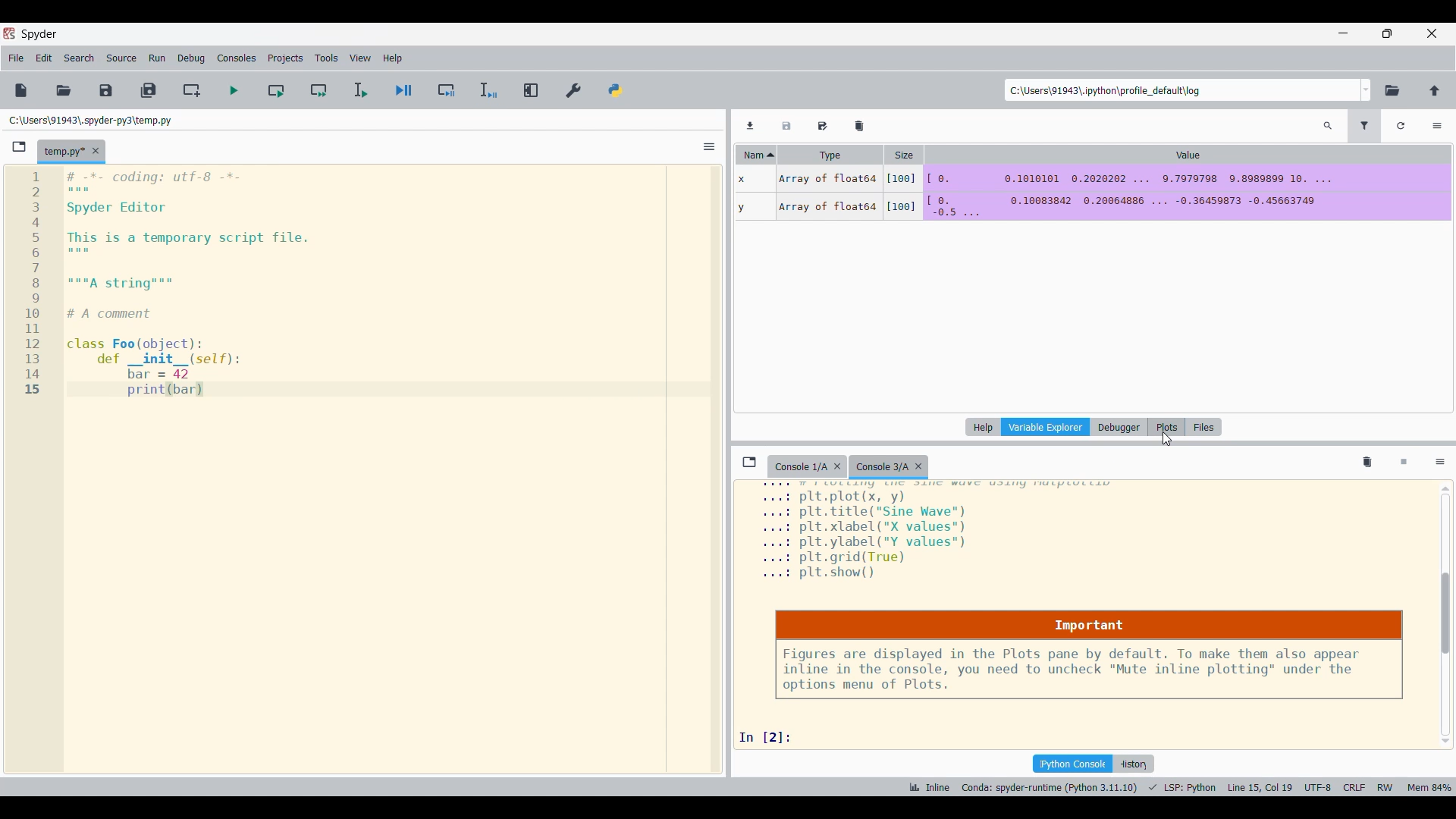 Image resolution: width=1456 pixels, height=819 pixels. Describe the element at coordinates (830, 155) in the screenshot. I see `Type column` at that location.